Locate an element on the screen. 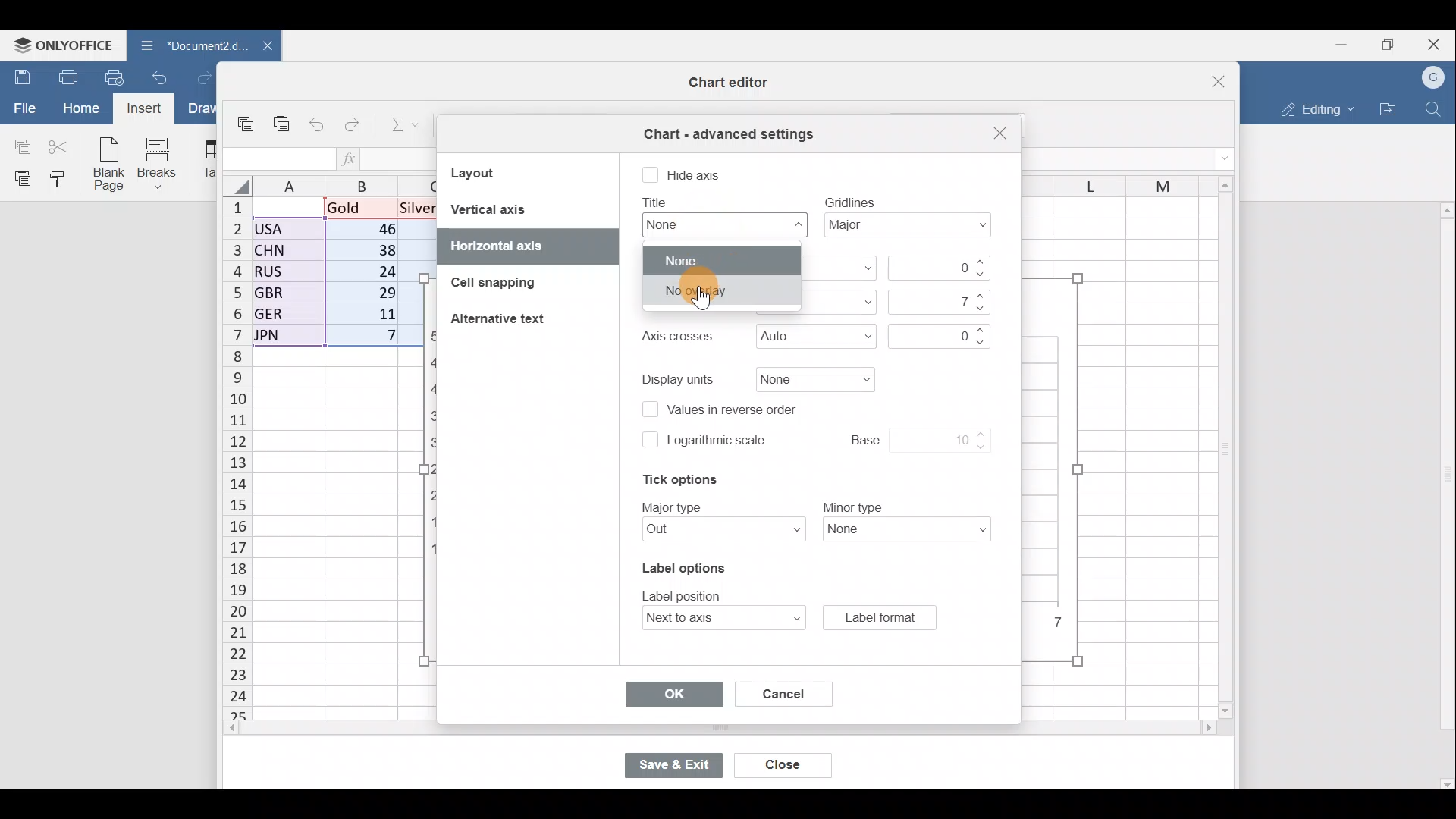 Image resolution: width=1456 pixels, height=819 pixels. Save & exit is located at coordinates (670, 765).